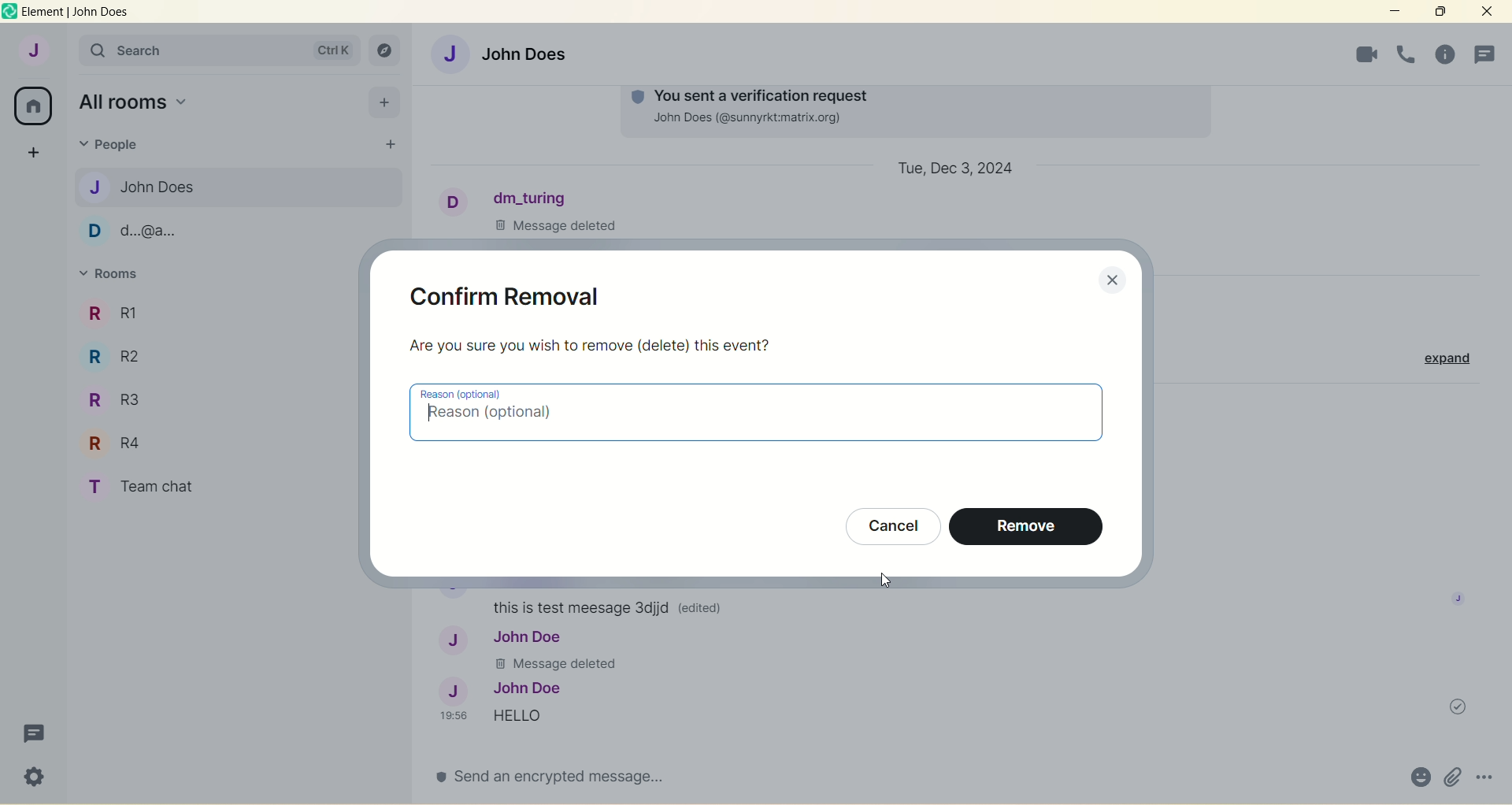 The width and height of the screenshot is (1512, 805). Describe the element at coordinates (1483, 13) in the screenshot. I see `close` at that location.